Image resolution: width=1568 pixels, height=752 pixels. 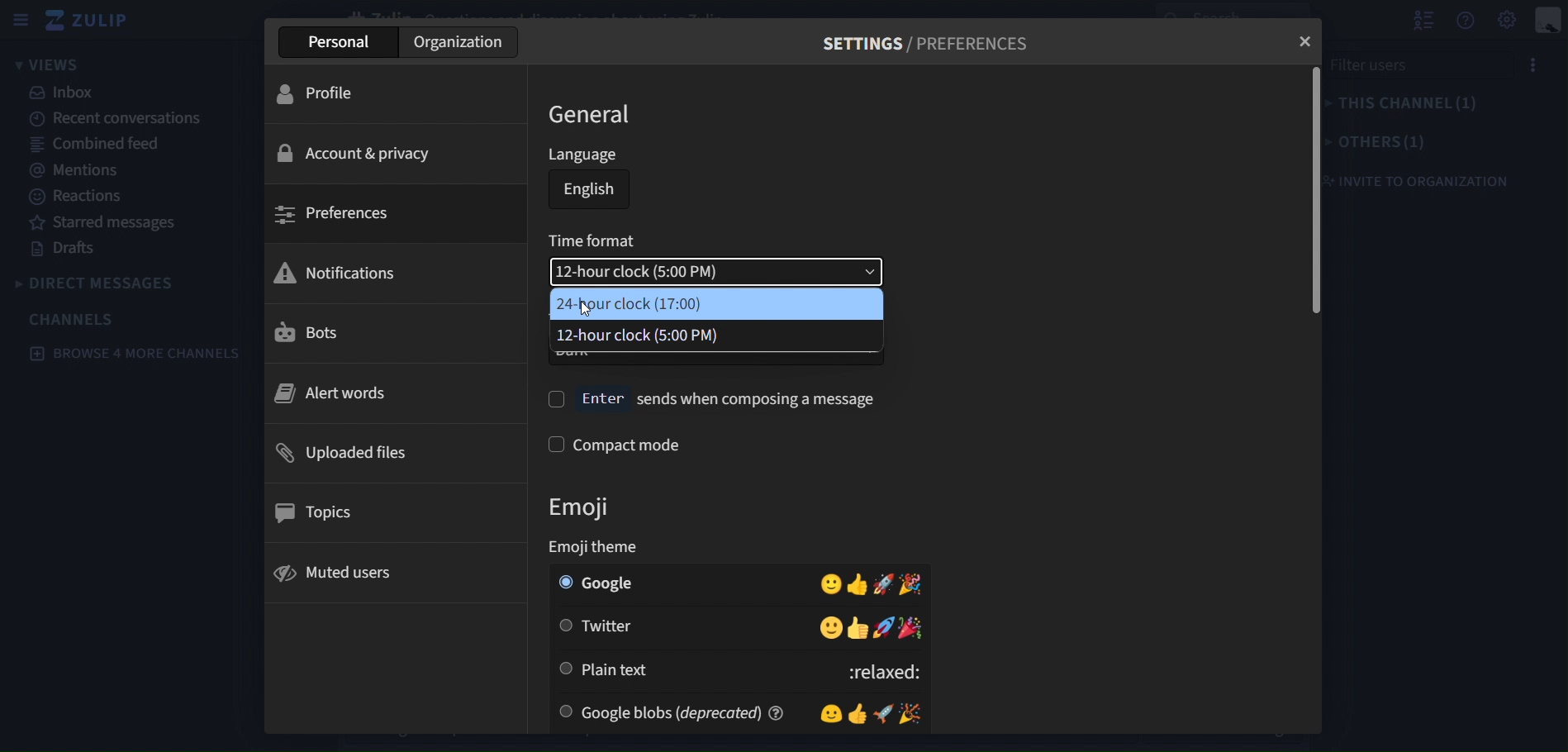 What do you see at coordinates (333, 43) in the screenshot?
I see `Personal` at bounding box center [333, 43].